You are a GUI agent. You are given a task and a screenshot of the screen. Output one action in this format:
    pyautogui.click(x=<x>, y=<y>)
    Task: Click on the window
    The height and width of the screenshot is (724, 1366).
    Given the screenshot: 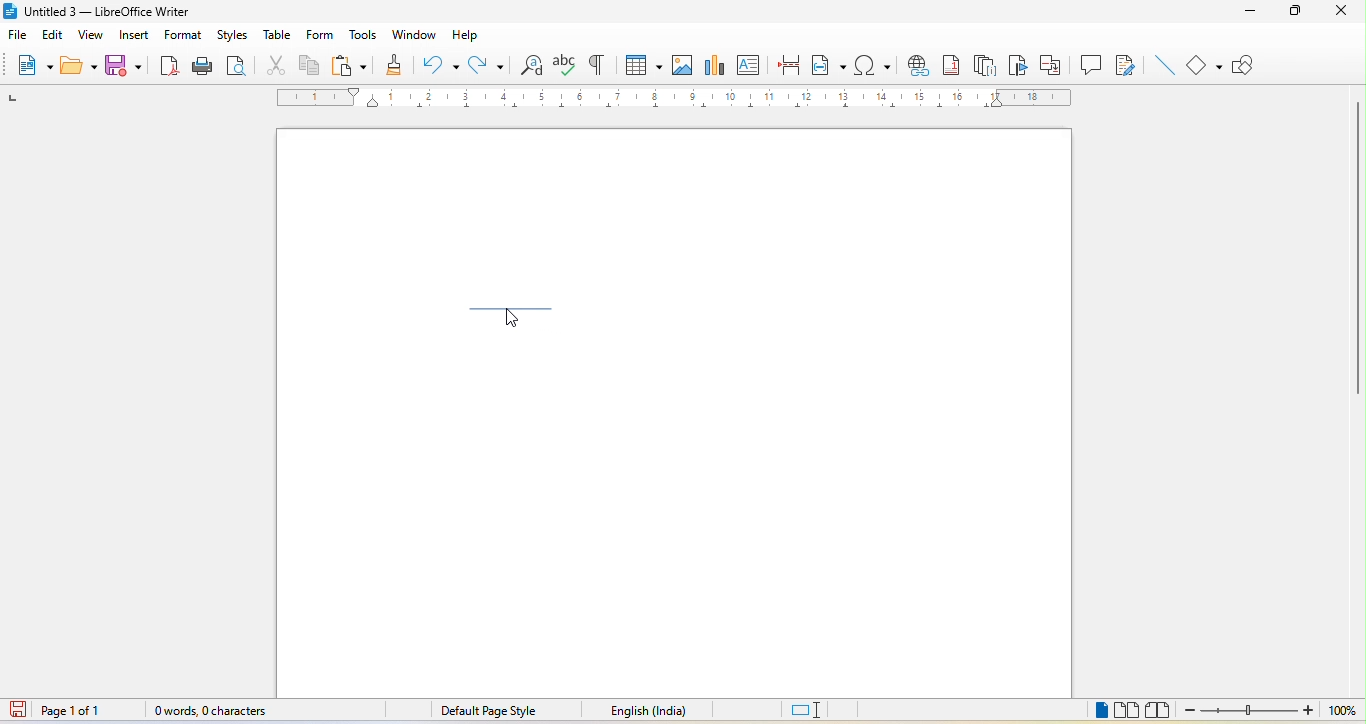 What is the action you would take?
    pyautogui.click(x=414, y=35)
    